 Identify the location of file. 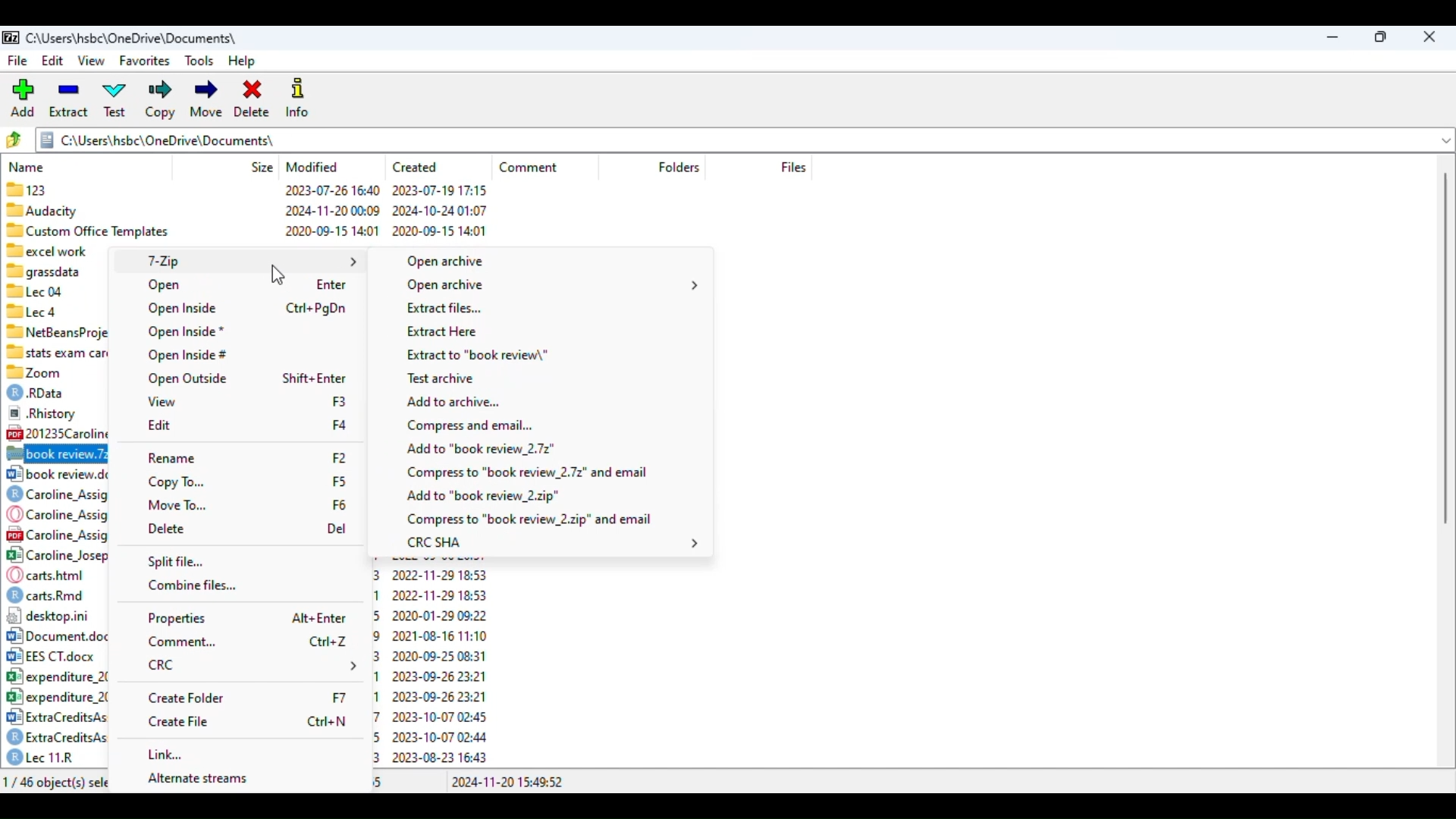
(17, 60).